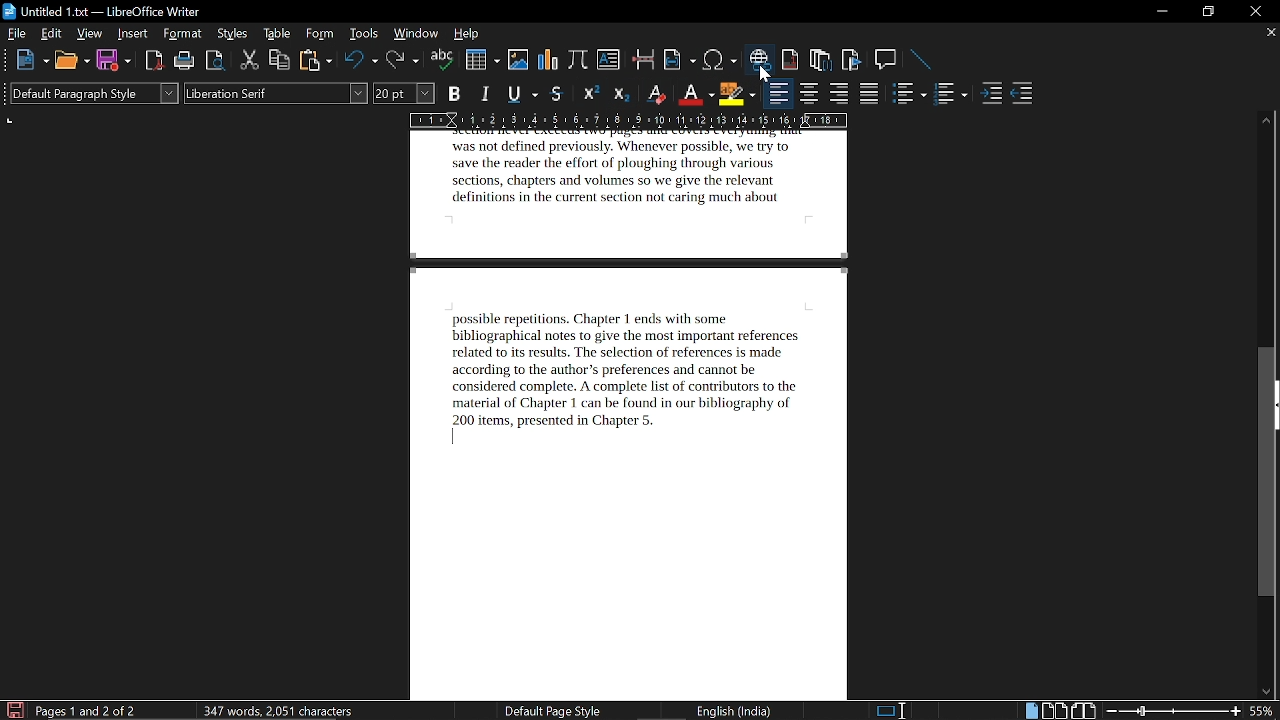 Image resolution: width=1280 pixels, height=720 pixels. What do you see at coordinates (910, 95) in the screenshot?
I see `toggle ordered list` at bounding box center [910, 95].